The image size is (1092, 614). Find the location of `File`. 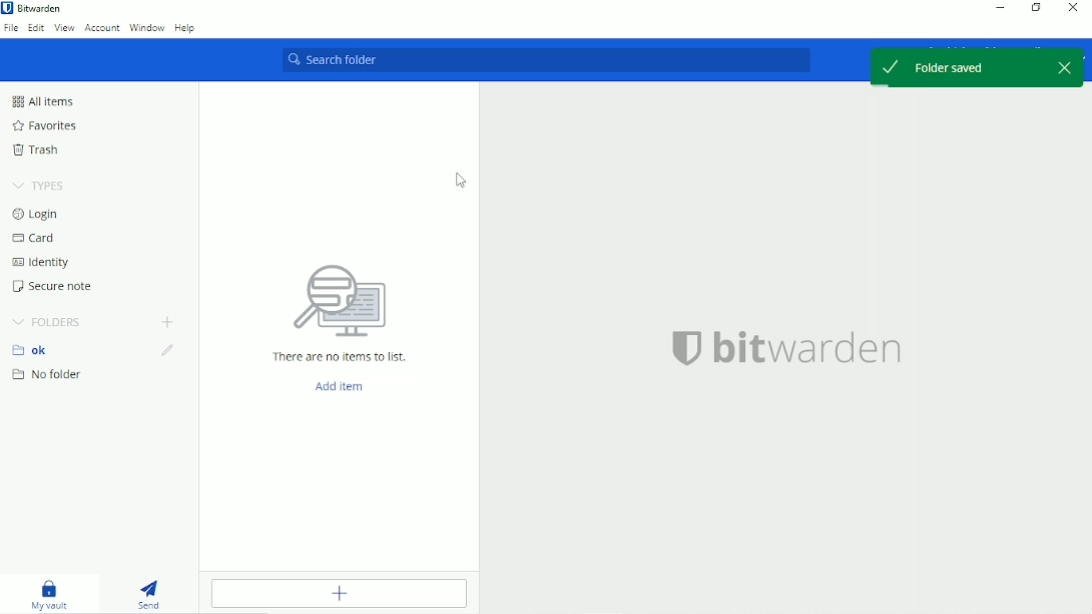

File is located at coordinates (11, 28).